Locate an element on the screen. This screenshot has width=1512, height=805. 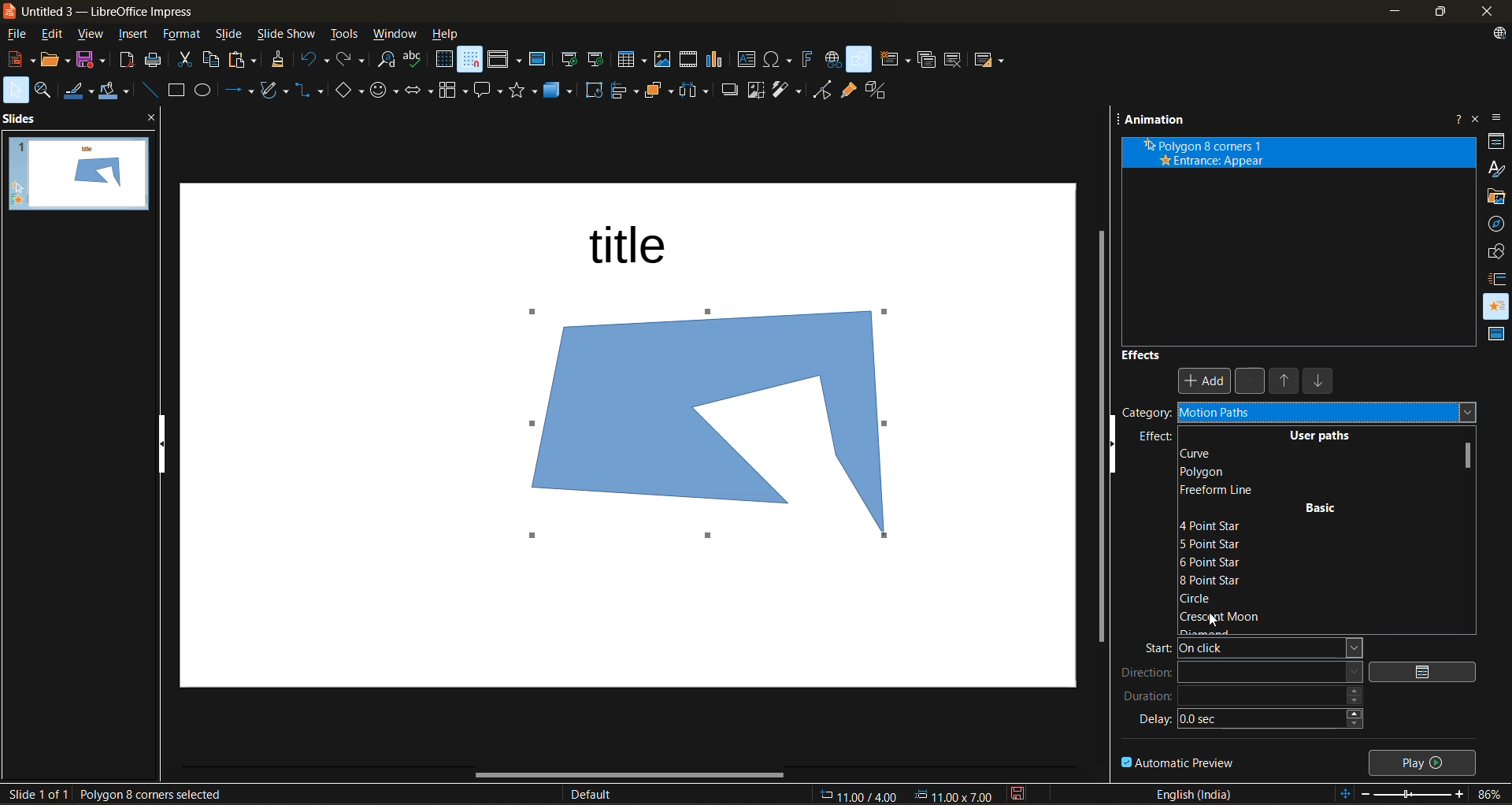
6 point star is located at coordinates (1219, 562).